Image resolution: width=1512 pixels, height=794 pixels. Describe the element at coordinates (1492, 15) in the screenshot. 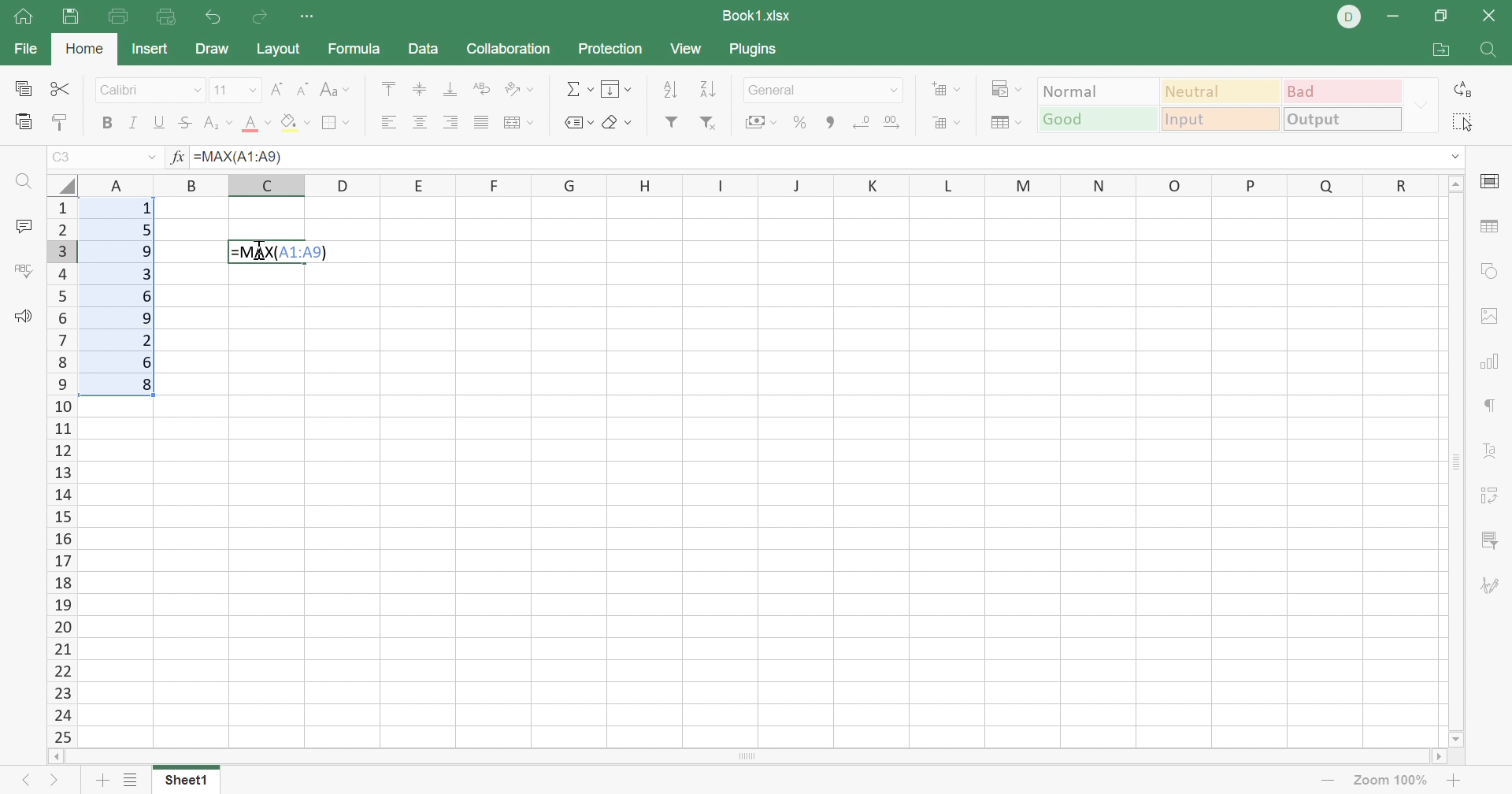

I see `Close` at that location.